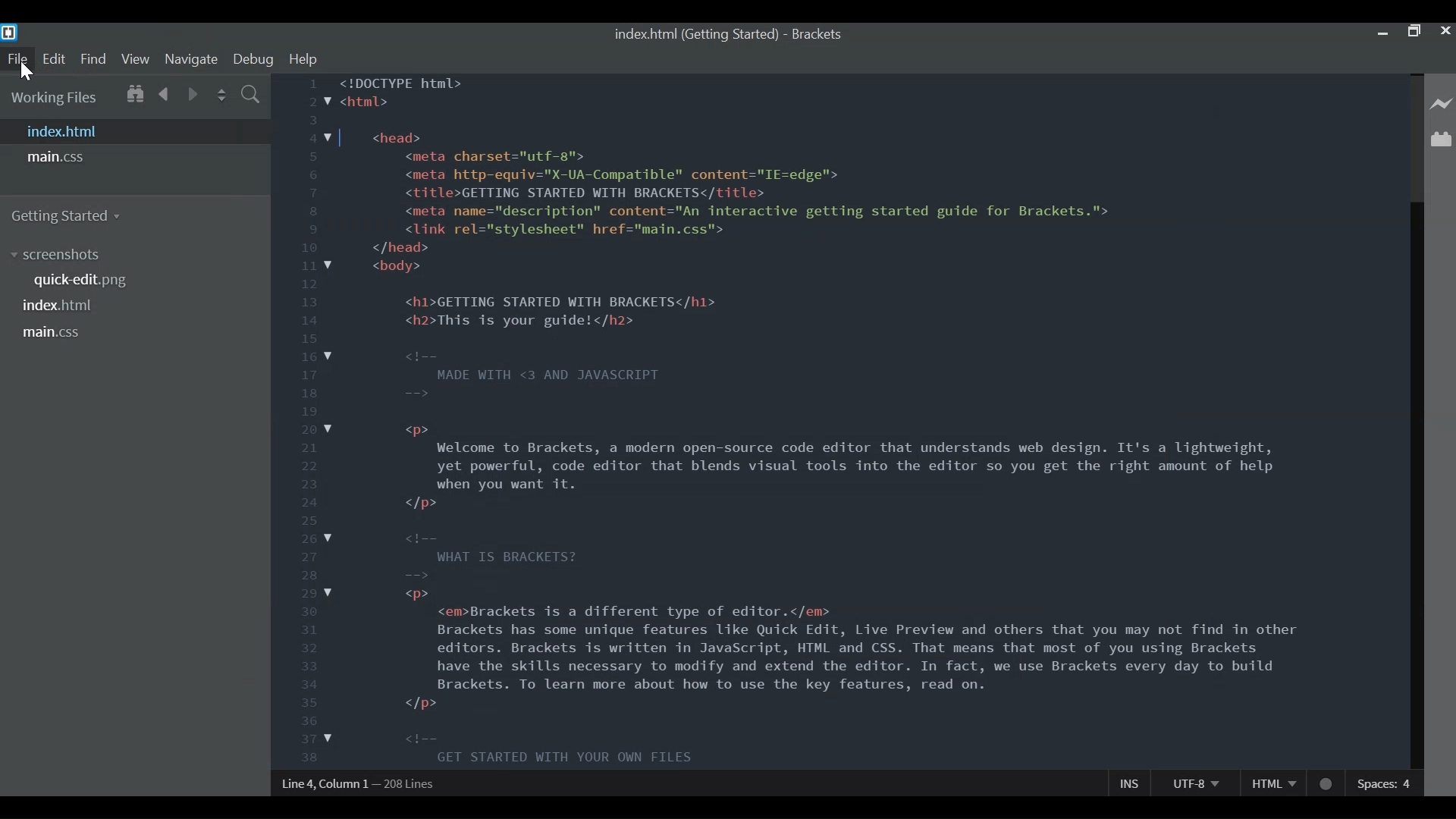  Describe the element at coordinates (1382, 33) in the screenshot. I see `minimize` at that location.